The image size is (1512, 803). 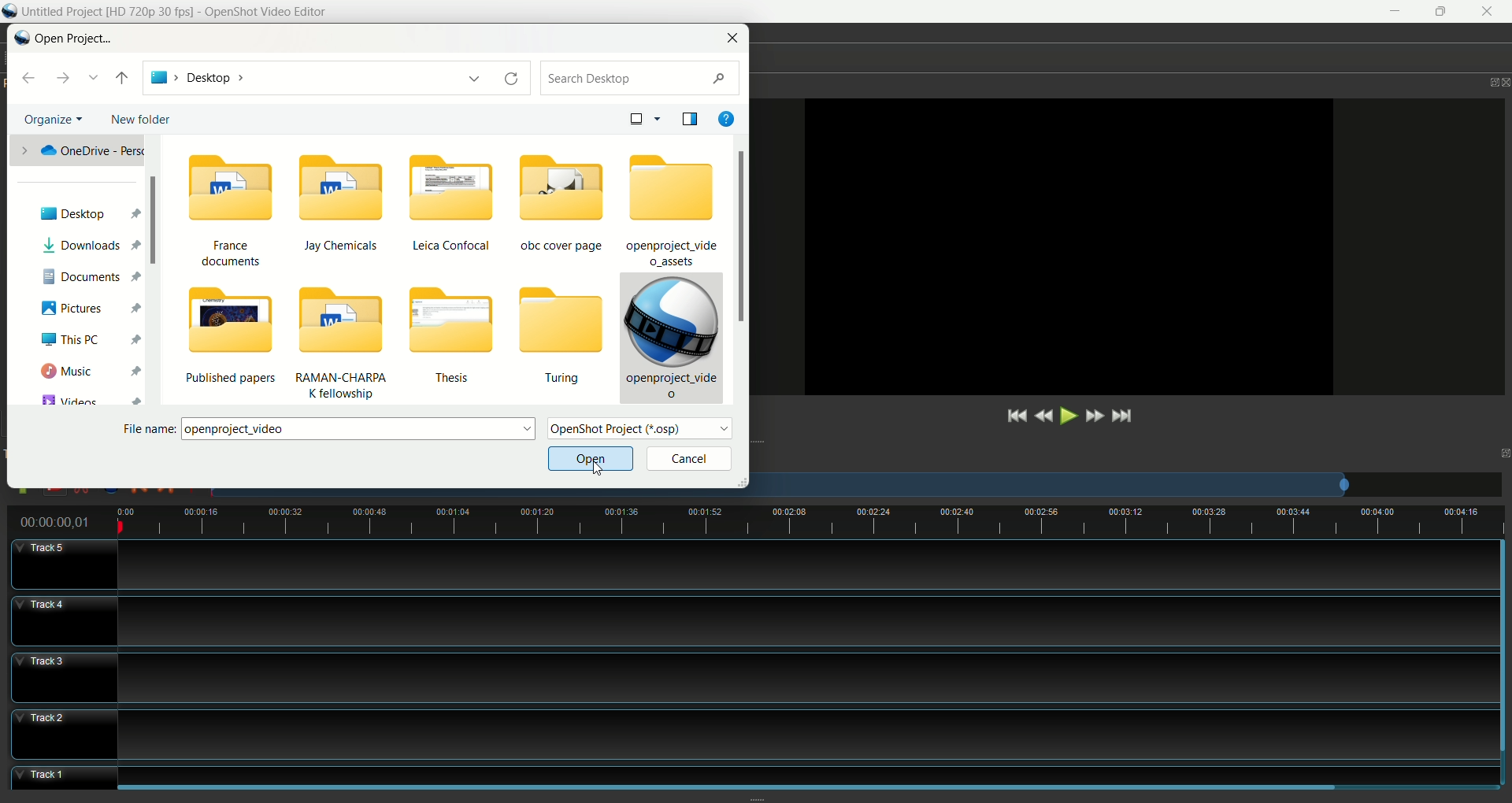 What do you see at coordinates (565, 202) in the screenshot?
I see `obc cover page` at bounding box center [565, 202].